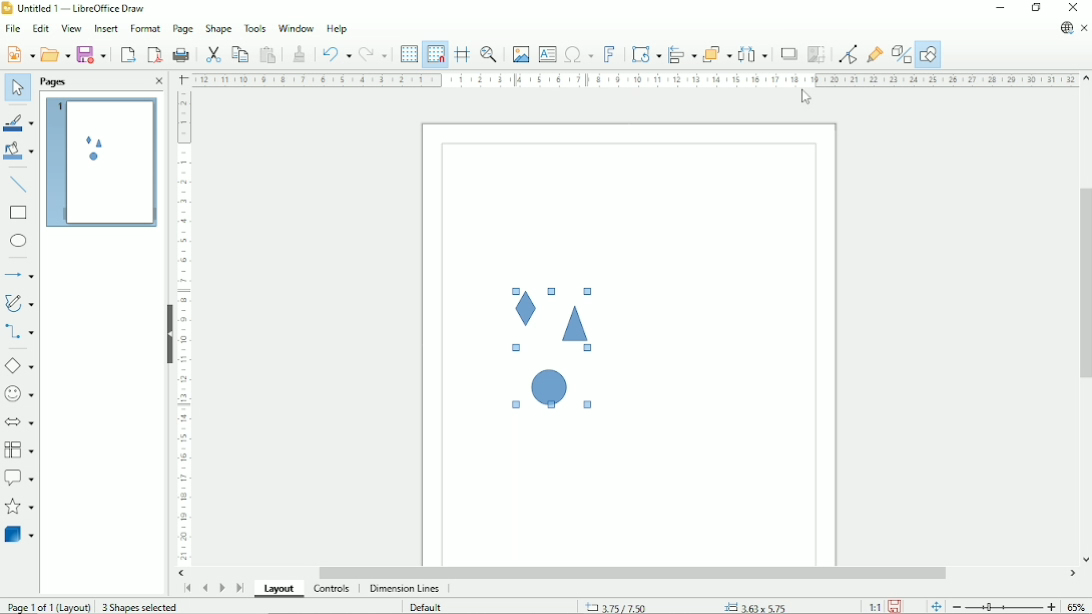 The height and width of the screenshot is (614, 1092). What do you see at coordinates (204, 589) in the screenshot?
I see `Scroll to previous page` at bounding box center [204, 589].